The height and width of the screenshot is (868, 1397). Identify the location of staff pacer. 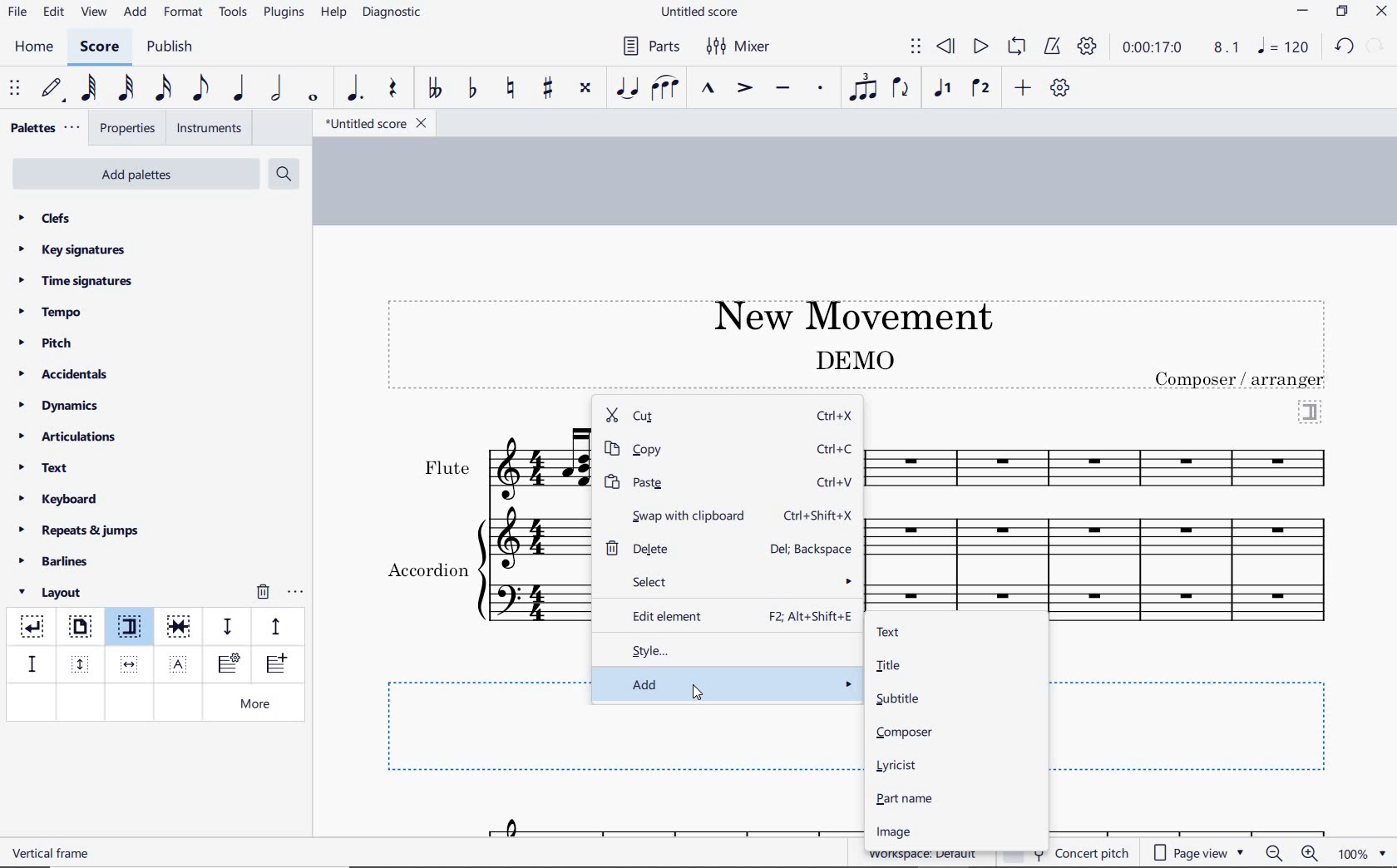
(274, 625).